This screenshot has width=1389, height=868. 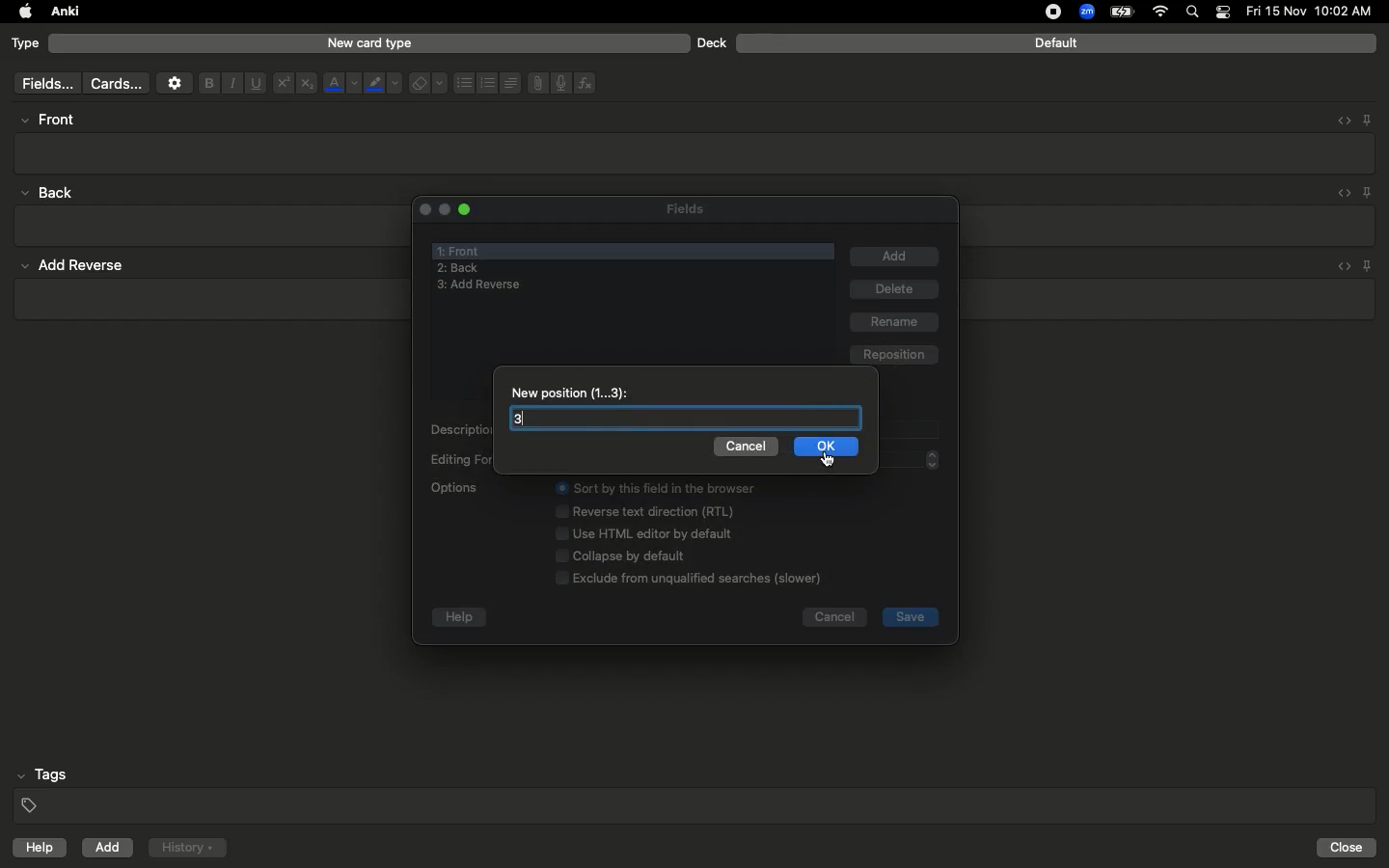 What do you see at coordinates (827, 446) in the screenshot?
I see `Ok` at bounding box center [827, 446].